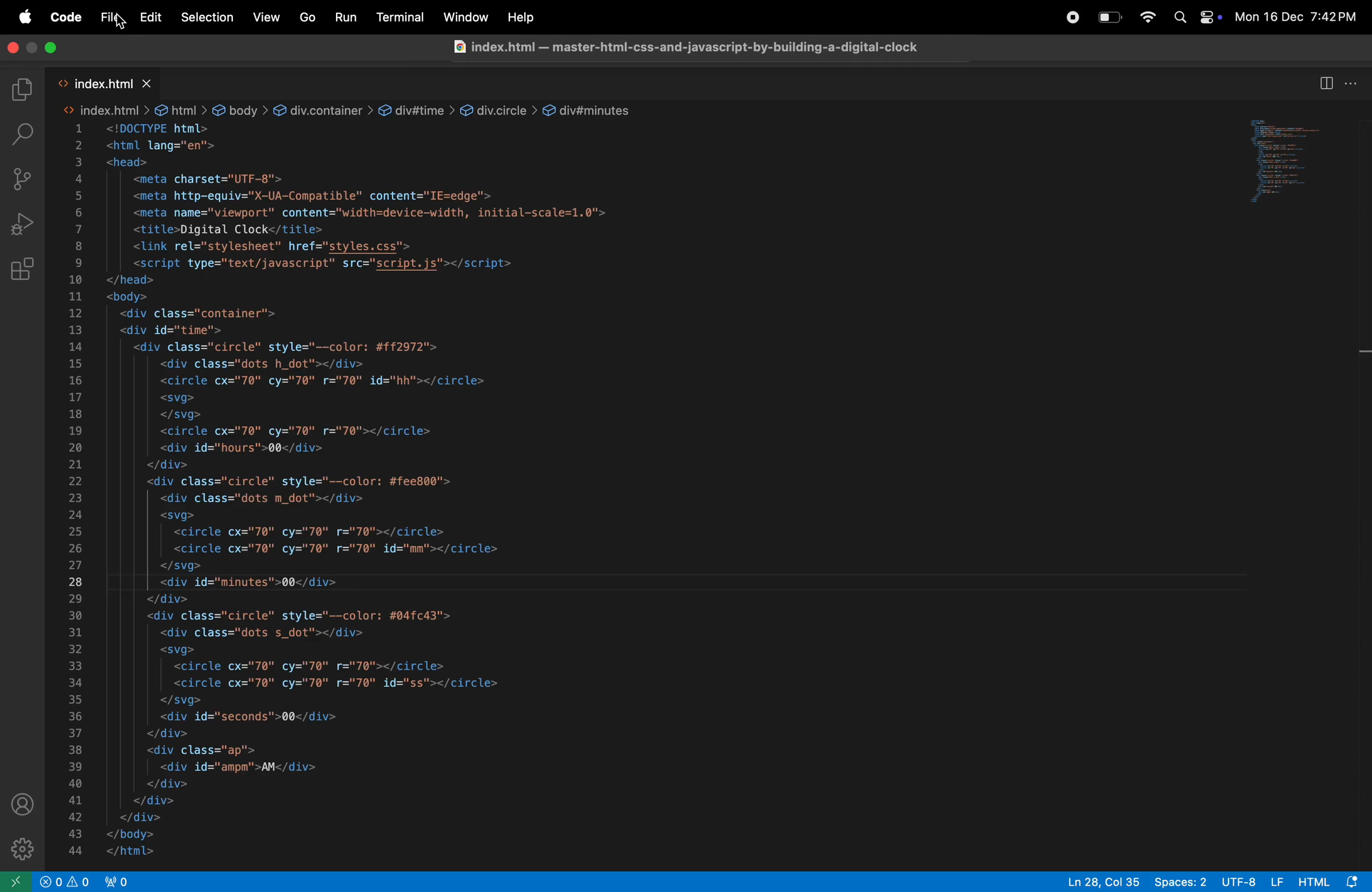 The width and height of the screenshot is (1372, 892). Describe the element at coordinates (21, 849) in the screenshot. I see `settings` at that location.